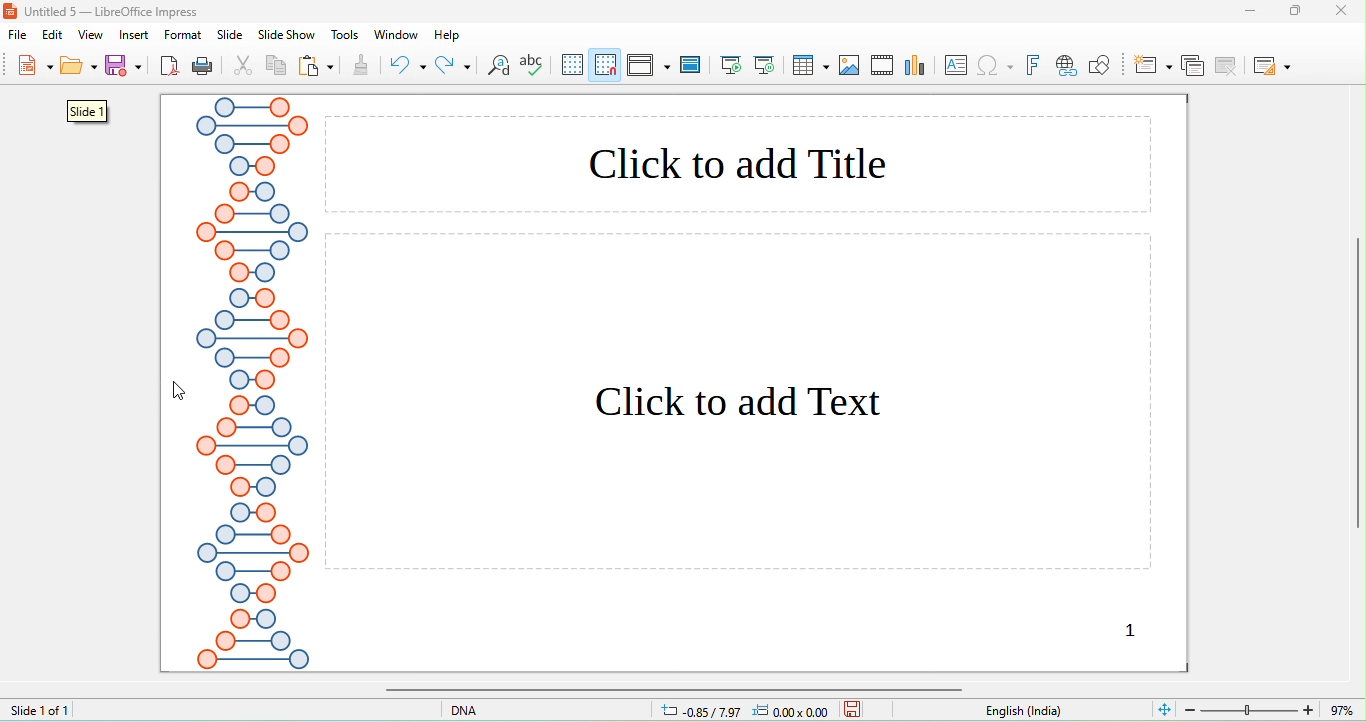  What do you see at coordinates (738, 163) in the screenshot?
I see `click to add title` at bounding box center [738, 163].